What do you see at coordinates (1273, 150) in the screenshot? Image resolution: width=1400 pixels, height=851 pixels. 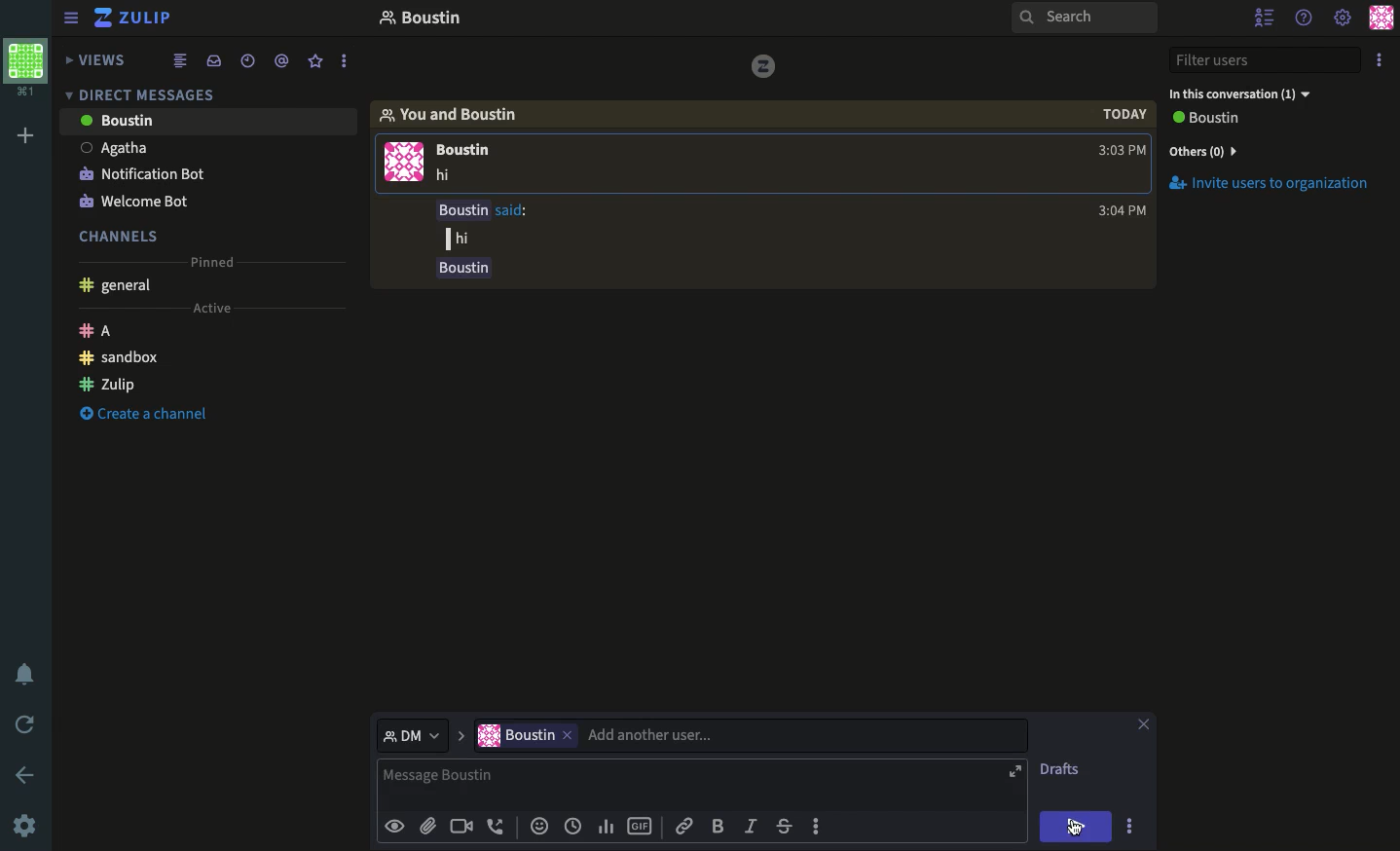 I see `Invite users to organization` at bounding box center [1273, 150].